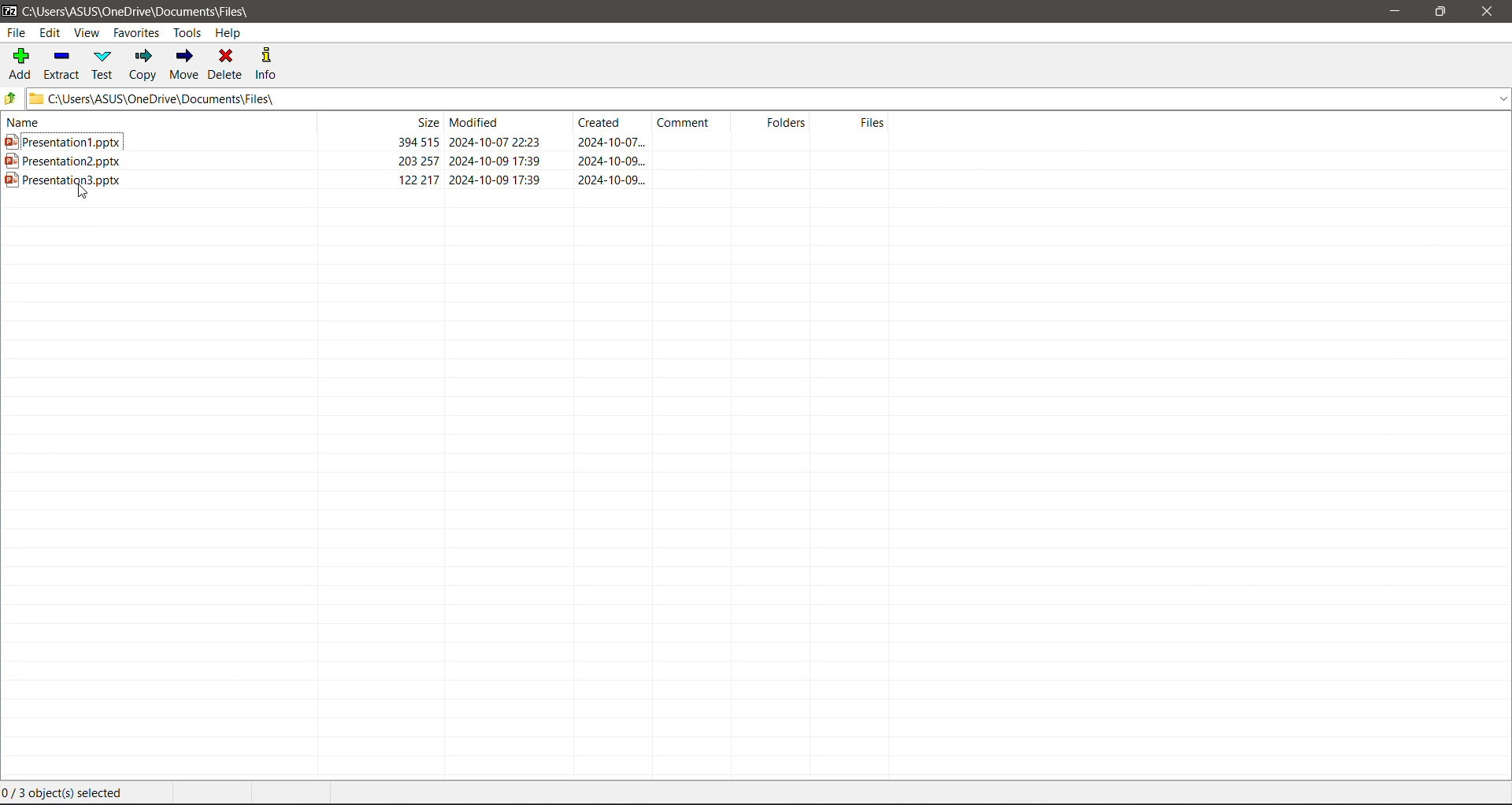 This screenshot has height=805, width=1512. What do you see at coordinates (147, 9) in the screenshot?
I see `Current Folder Path` at bounding box center [147, 9].